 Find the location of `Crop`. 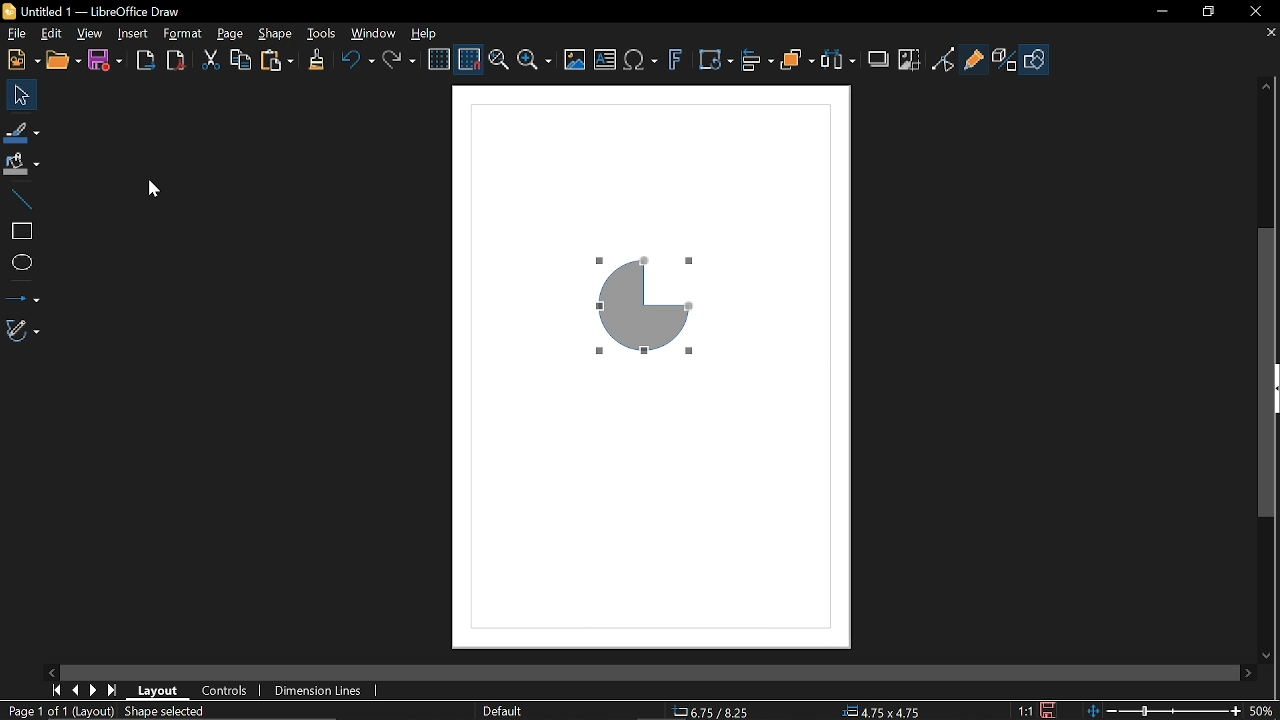

Crop is located at coordinates (910, 60).